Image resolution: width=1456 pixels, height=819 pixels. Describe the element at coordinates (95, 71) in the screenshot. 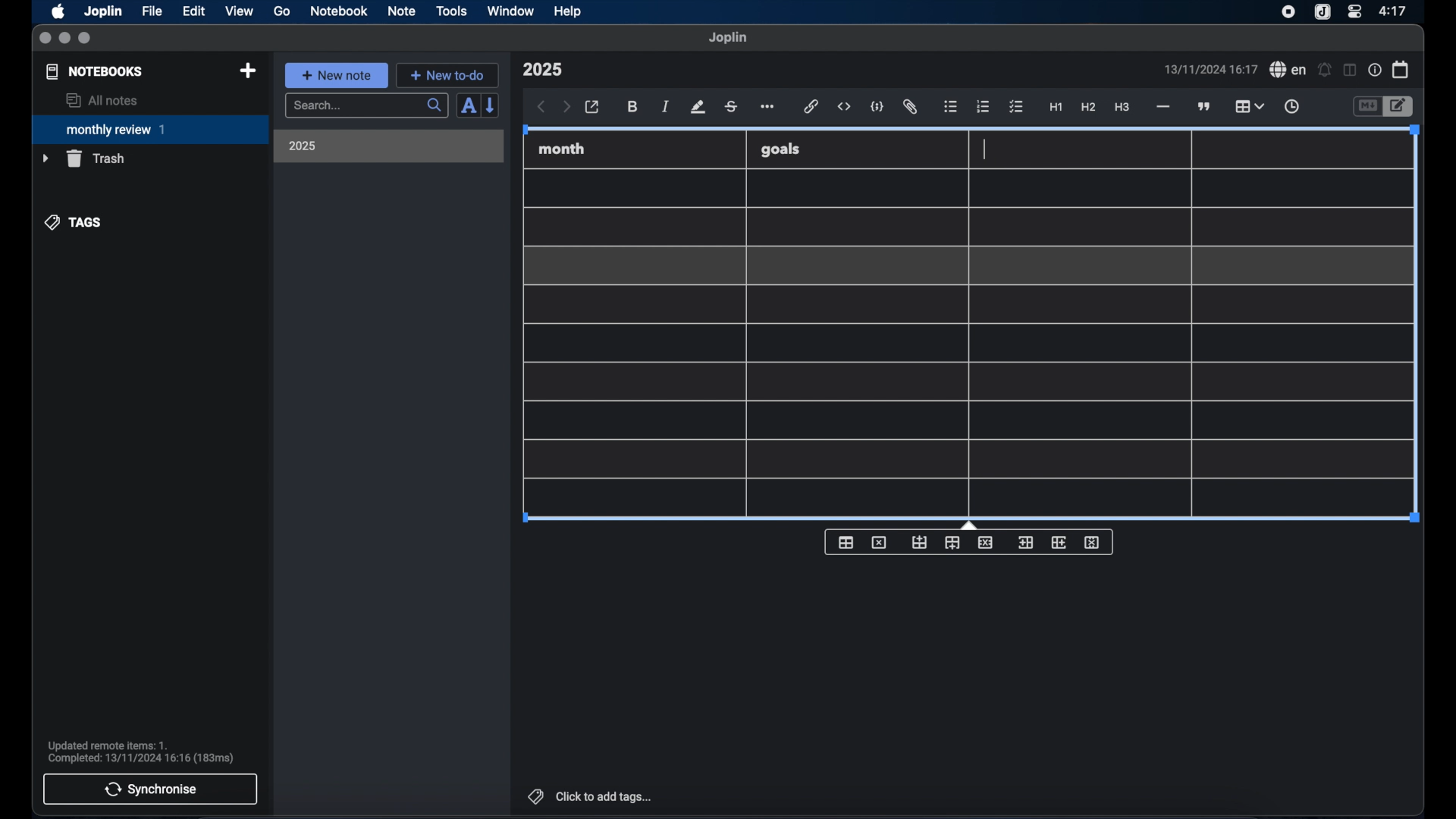

I see `notebooks` at that location.